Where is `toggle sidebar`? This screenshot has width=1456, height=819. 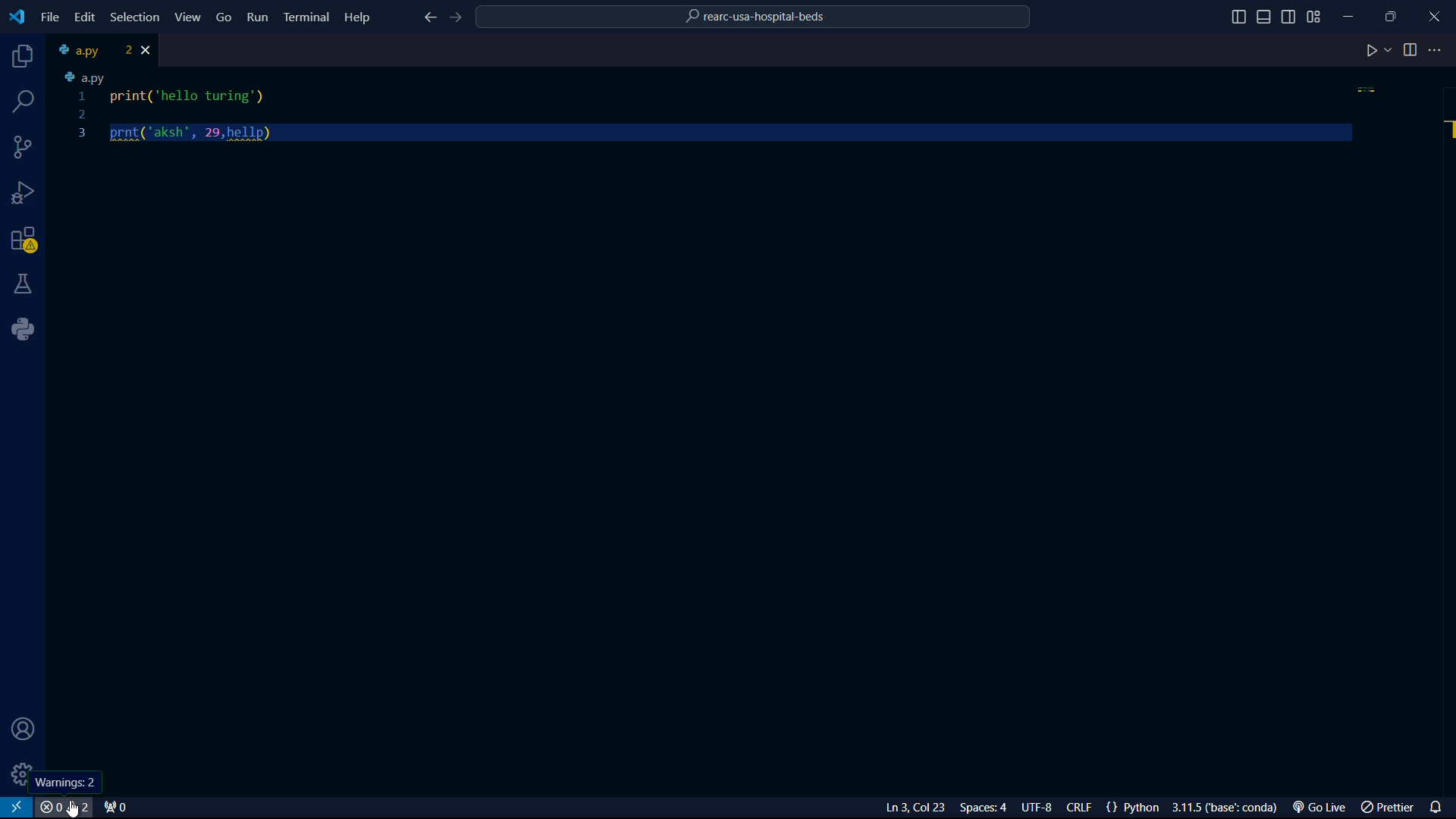 toggle sidebar is located at coordinates (1290, 15).